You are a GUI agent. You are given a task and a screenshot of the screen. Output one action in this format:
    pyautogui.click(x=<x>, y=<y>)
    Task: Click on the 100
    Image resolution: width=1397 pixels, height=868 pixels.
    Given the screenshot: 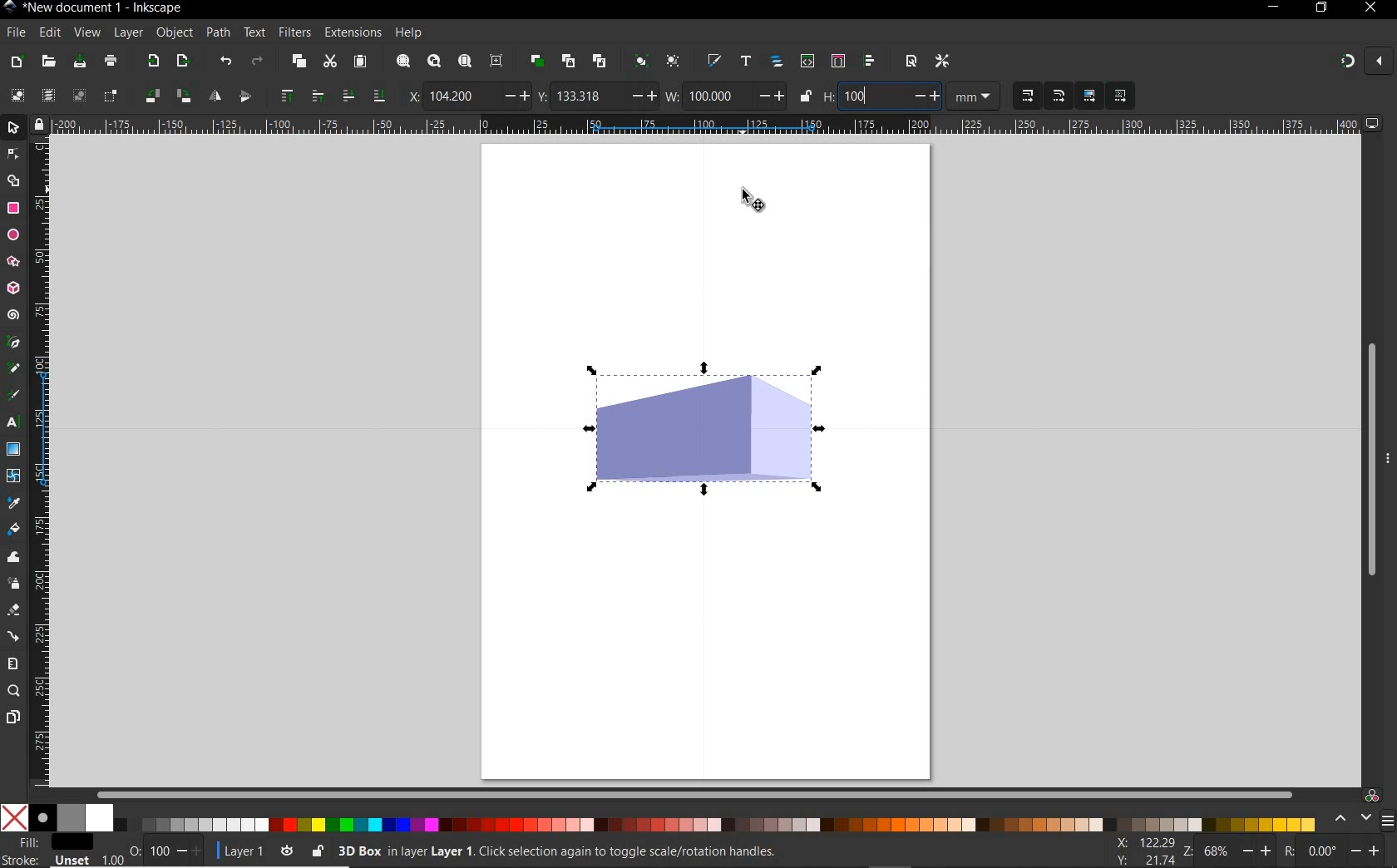 What is the action you would take?
    pyautogui.click(x=716, y=96)
    